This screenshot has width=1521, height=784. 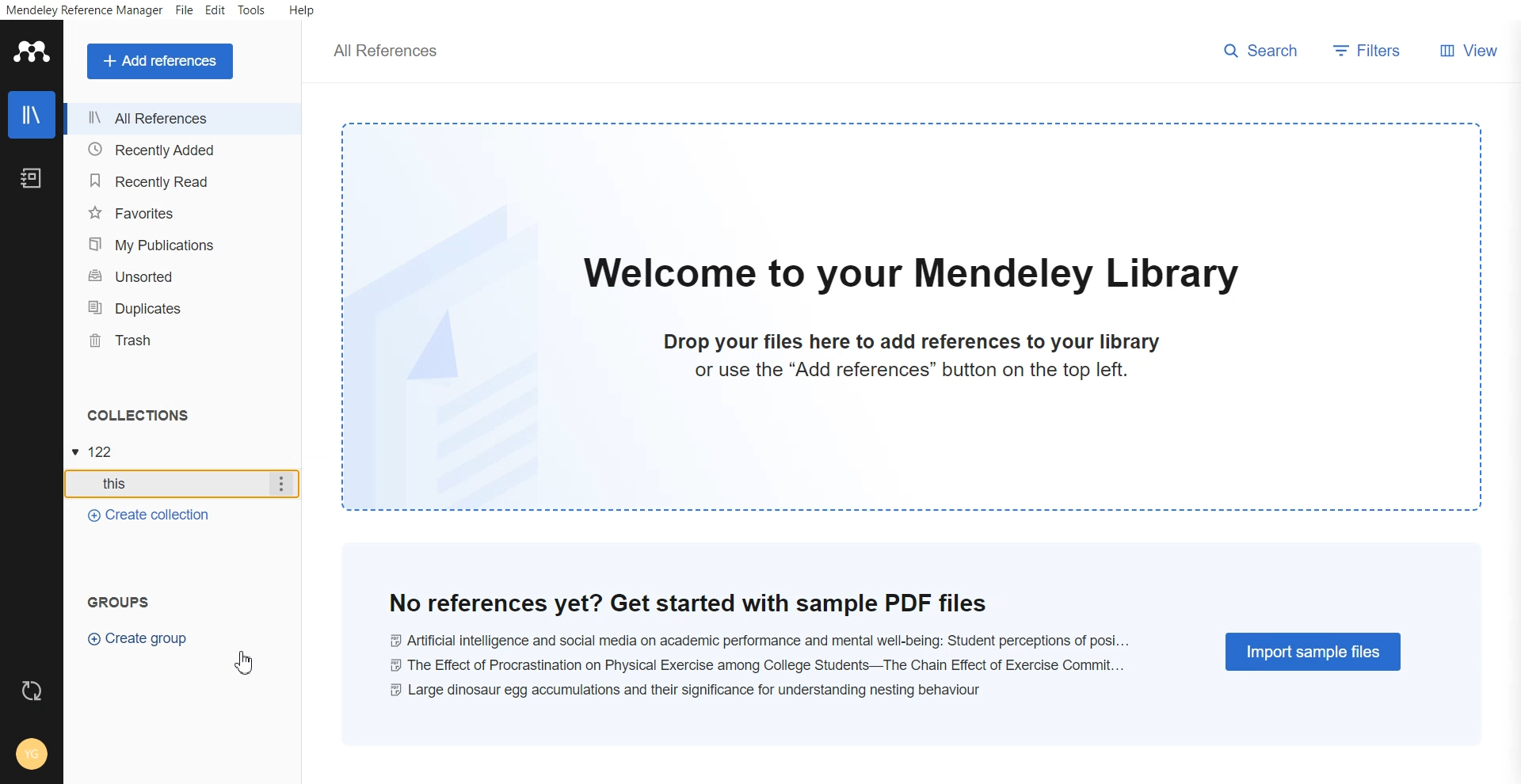 I want to click on Create group, so click(x=138, y=639).